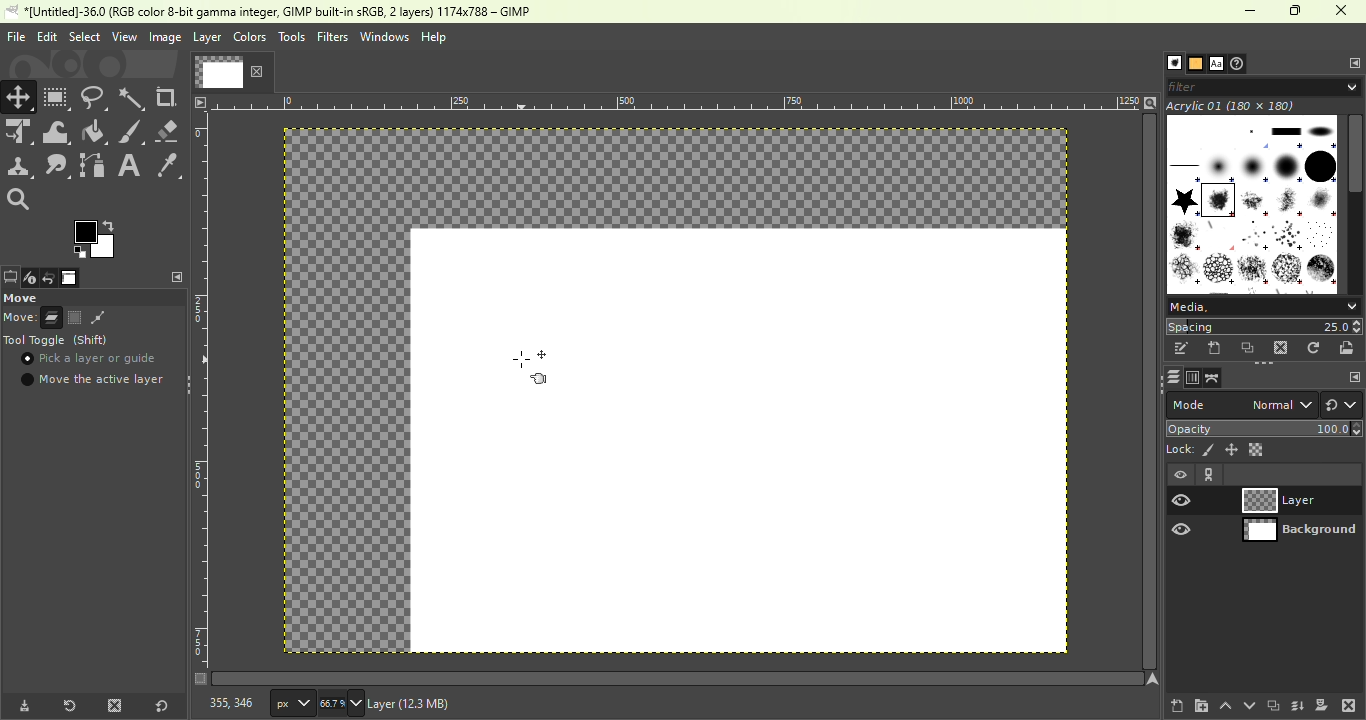 The height and width of the screenshot is (720, 1366). I want to click on , so click(83, 37).